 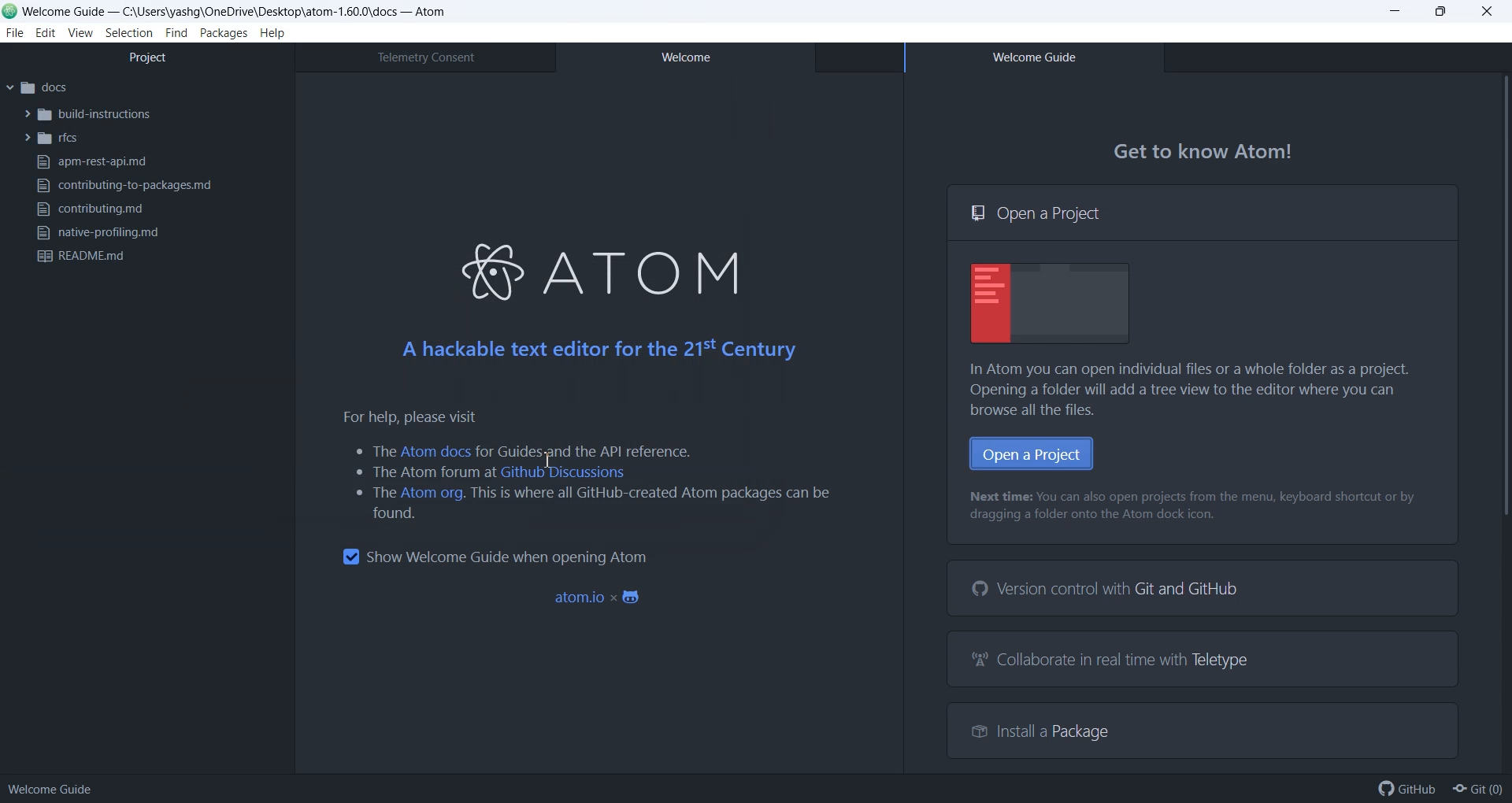 What do you see at coordinates (272, 33) in the screenshot?
I see `Help` at bounding box center [272, 33].